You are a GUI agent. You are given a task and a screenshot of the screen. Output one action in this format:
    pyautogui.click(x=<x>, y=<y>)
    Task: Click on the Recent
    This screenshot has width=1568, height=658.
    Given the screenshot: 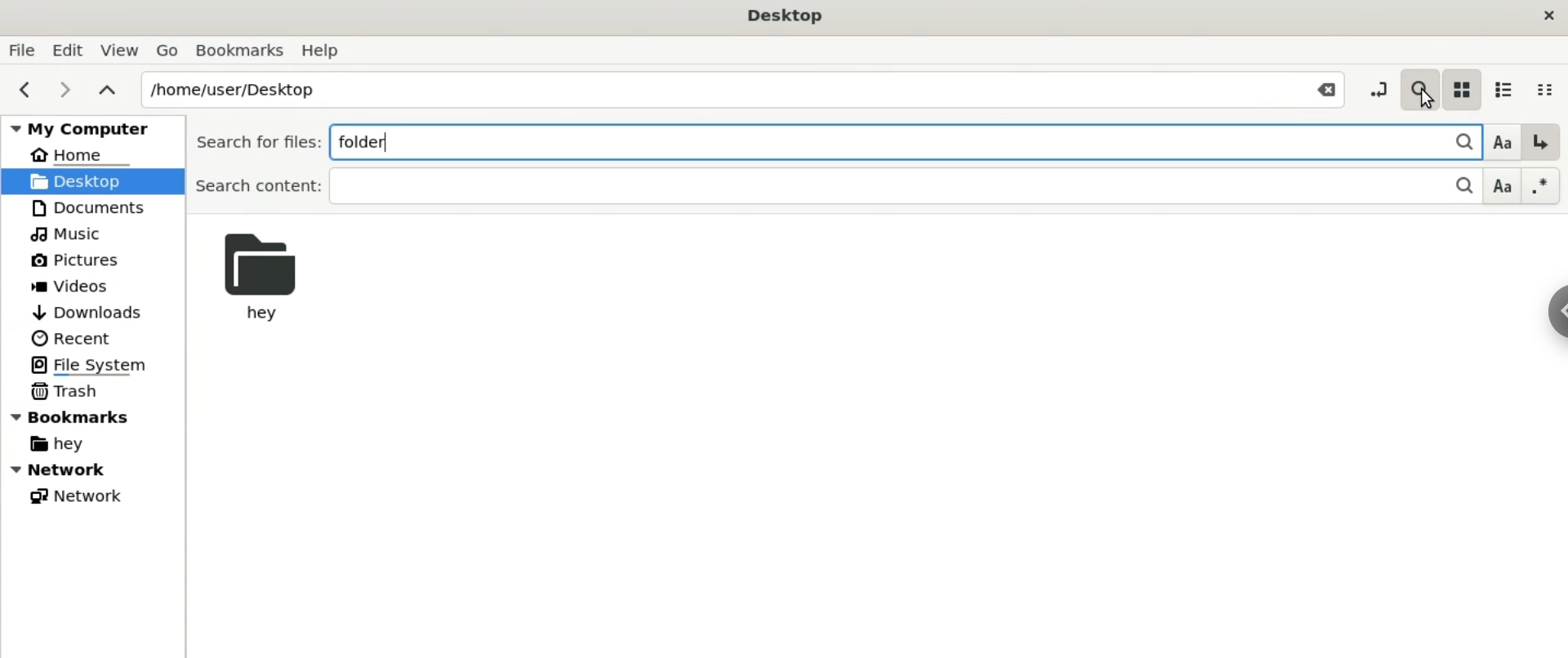 What is the action you would take?
    pyautogui.click(x=82, y=339)
    